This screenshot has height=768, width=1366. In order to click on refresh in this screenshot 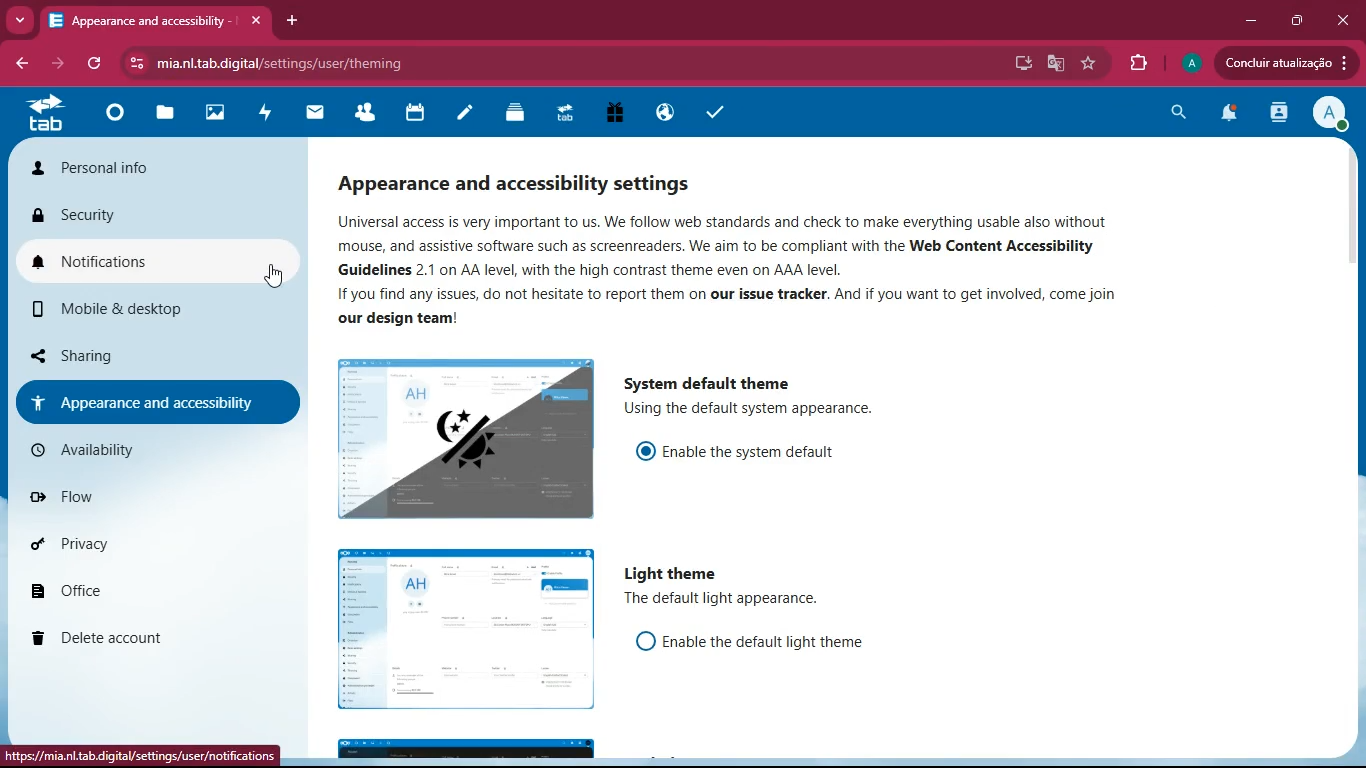, I will do `click(98, 64)`.